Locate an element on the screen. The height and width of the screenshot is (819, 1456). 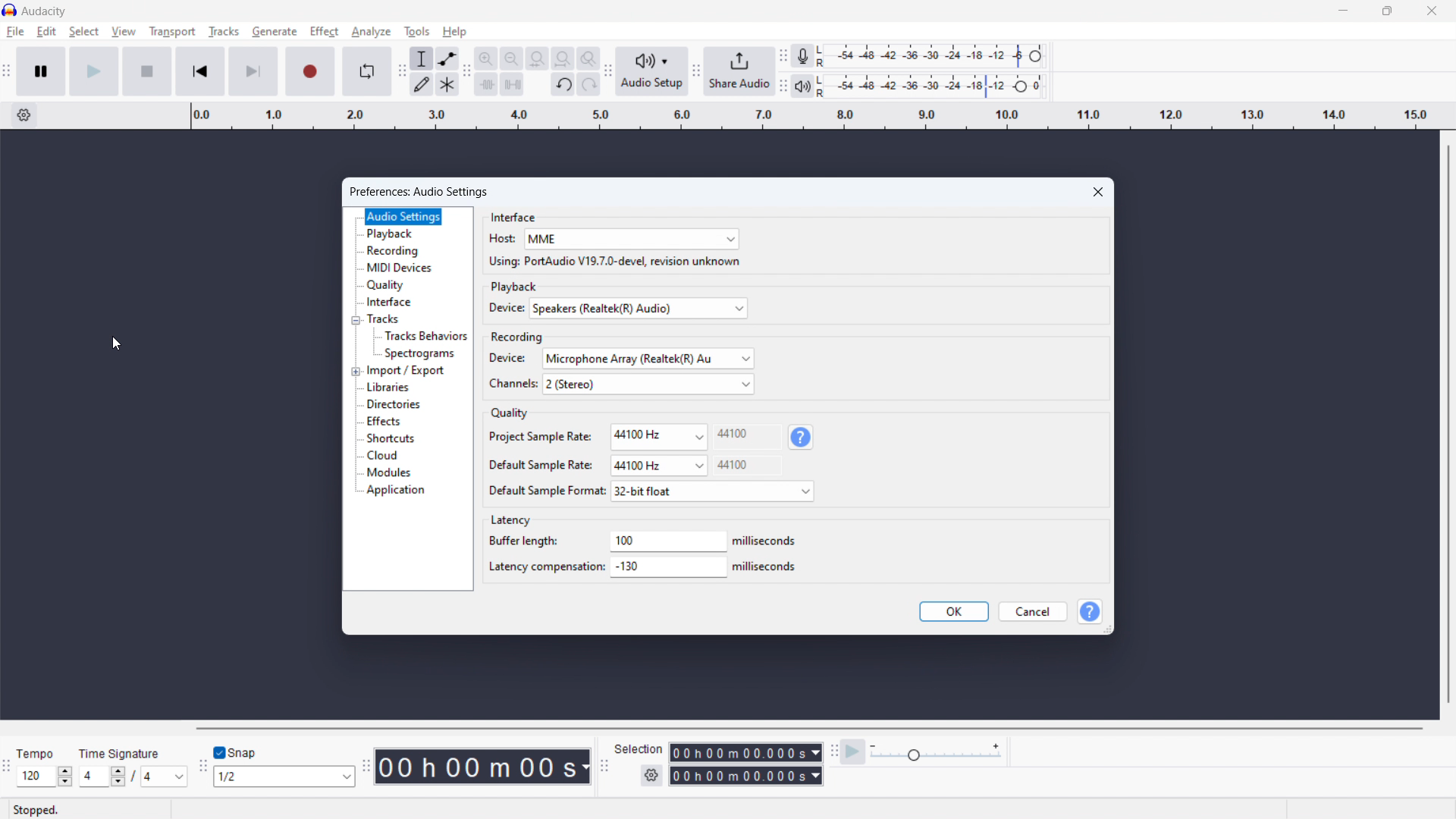
quality is located at coordinates (387, 285).